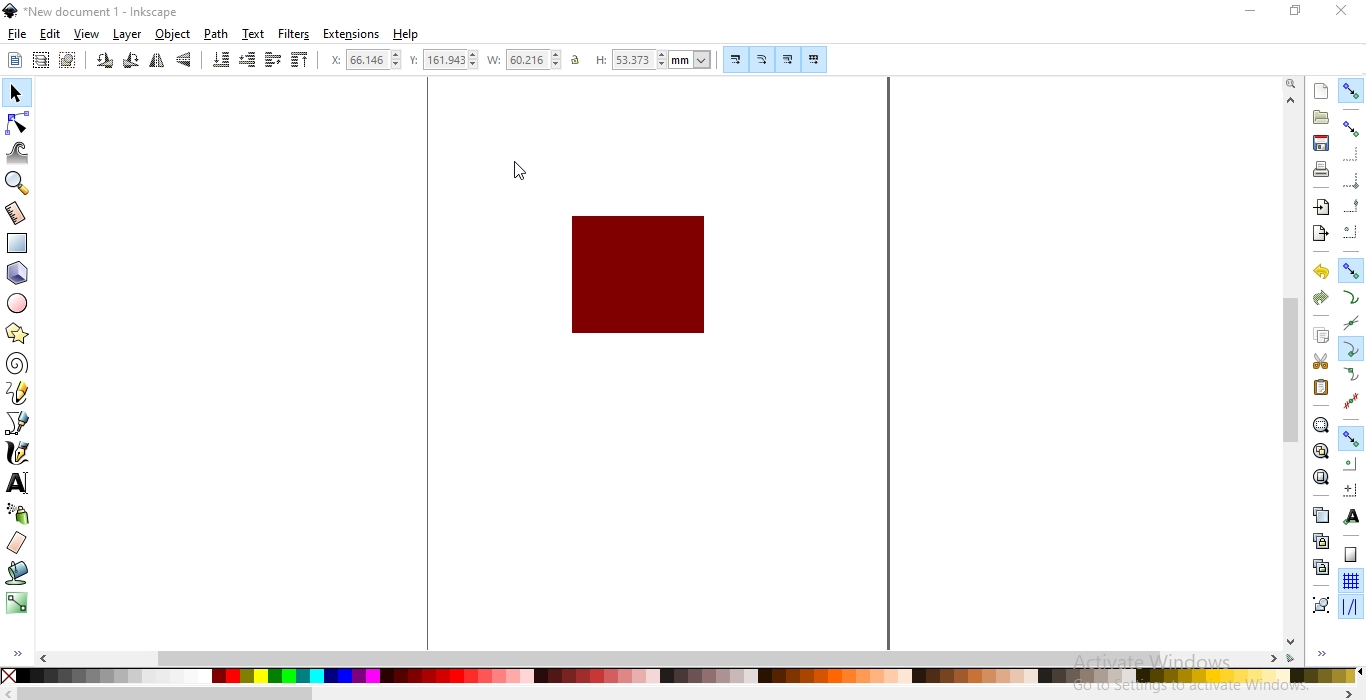 The width and height of the screenshot is (1366, 700). What do you see at coordinates (1320, 336) in the screenshot?
I see `copy selection to clipboard` at bounding box center [1320, 336].